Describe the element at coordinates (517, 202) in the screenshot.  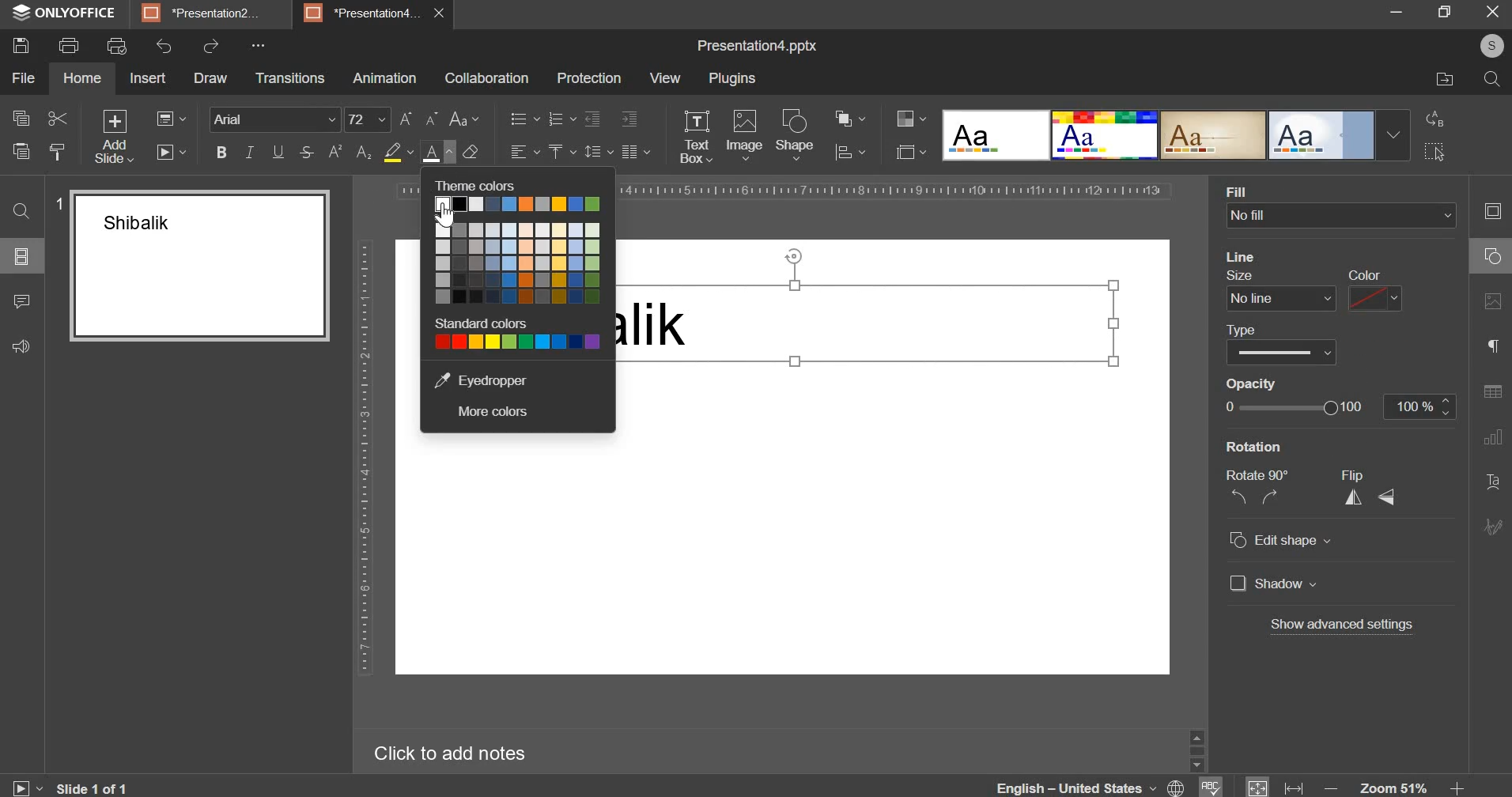
I see `recently used text colors` at that location.